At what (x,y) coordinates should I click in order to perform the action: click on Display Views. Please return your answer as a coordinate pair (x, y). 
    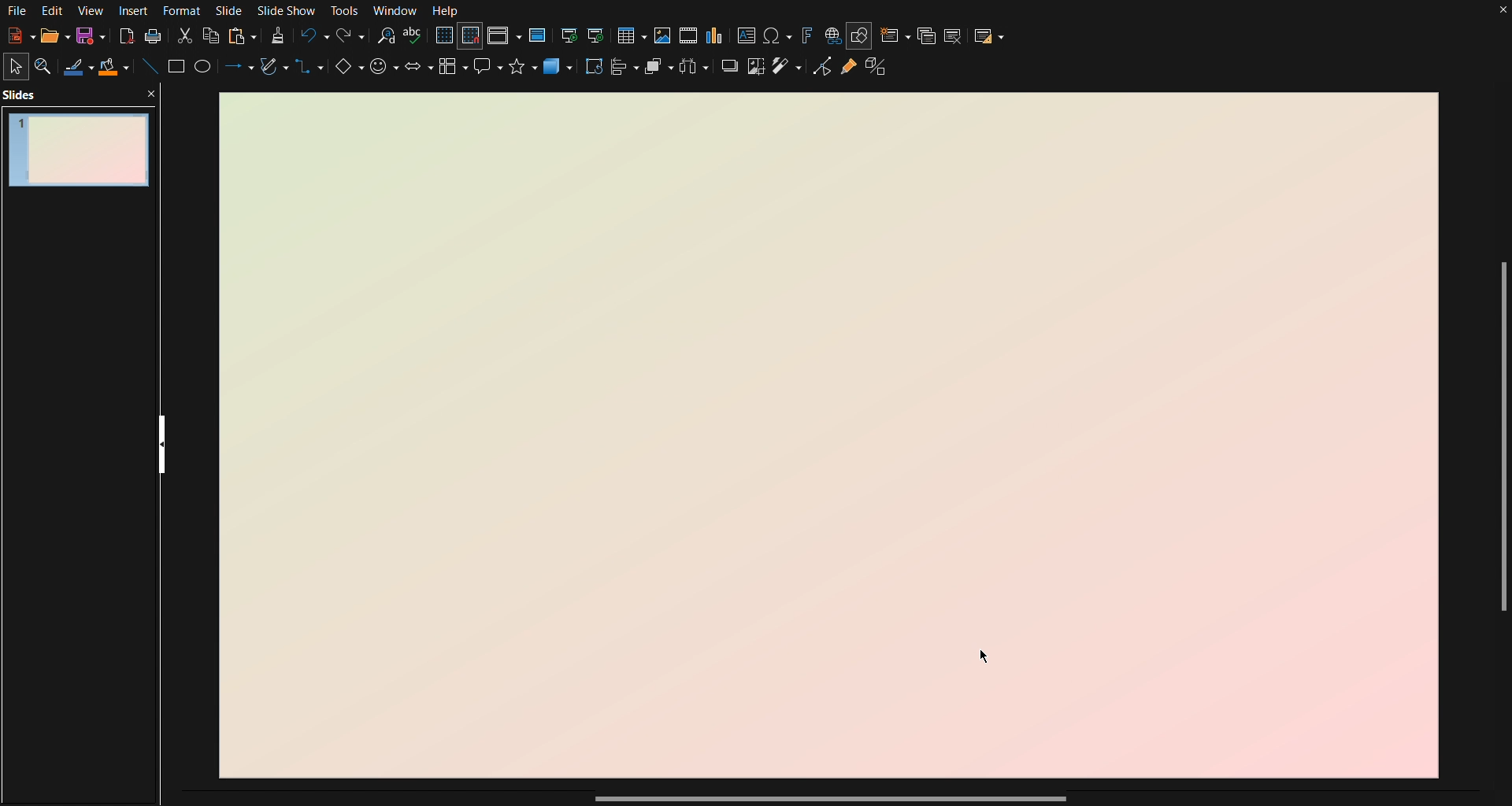
    Looking at the image, I should click on (505, 36).